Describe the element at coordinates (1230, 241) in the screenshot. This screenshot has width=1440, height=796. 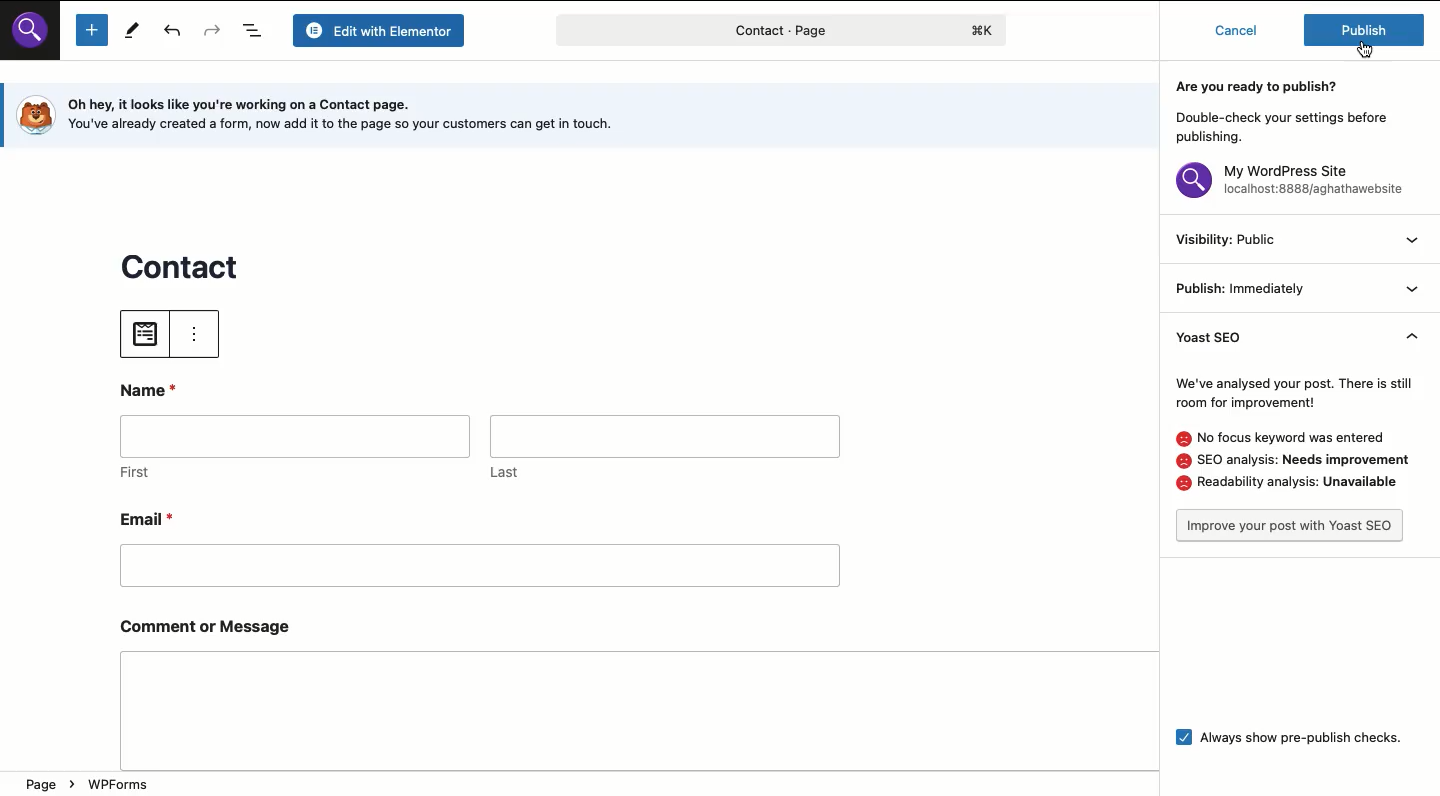
I see `Visibility ` at that location.